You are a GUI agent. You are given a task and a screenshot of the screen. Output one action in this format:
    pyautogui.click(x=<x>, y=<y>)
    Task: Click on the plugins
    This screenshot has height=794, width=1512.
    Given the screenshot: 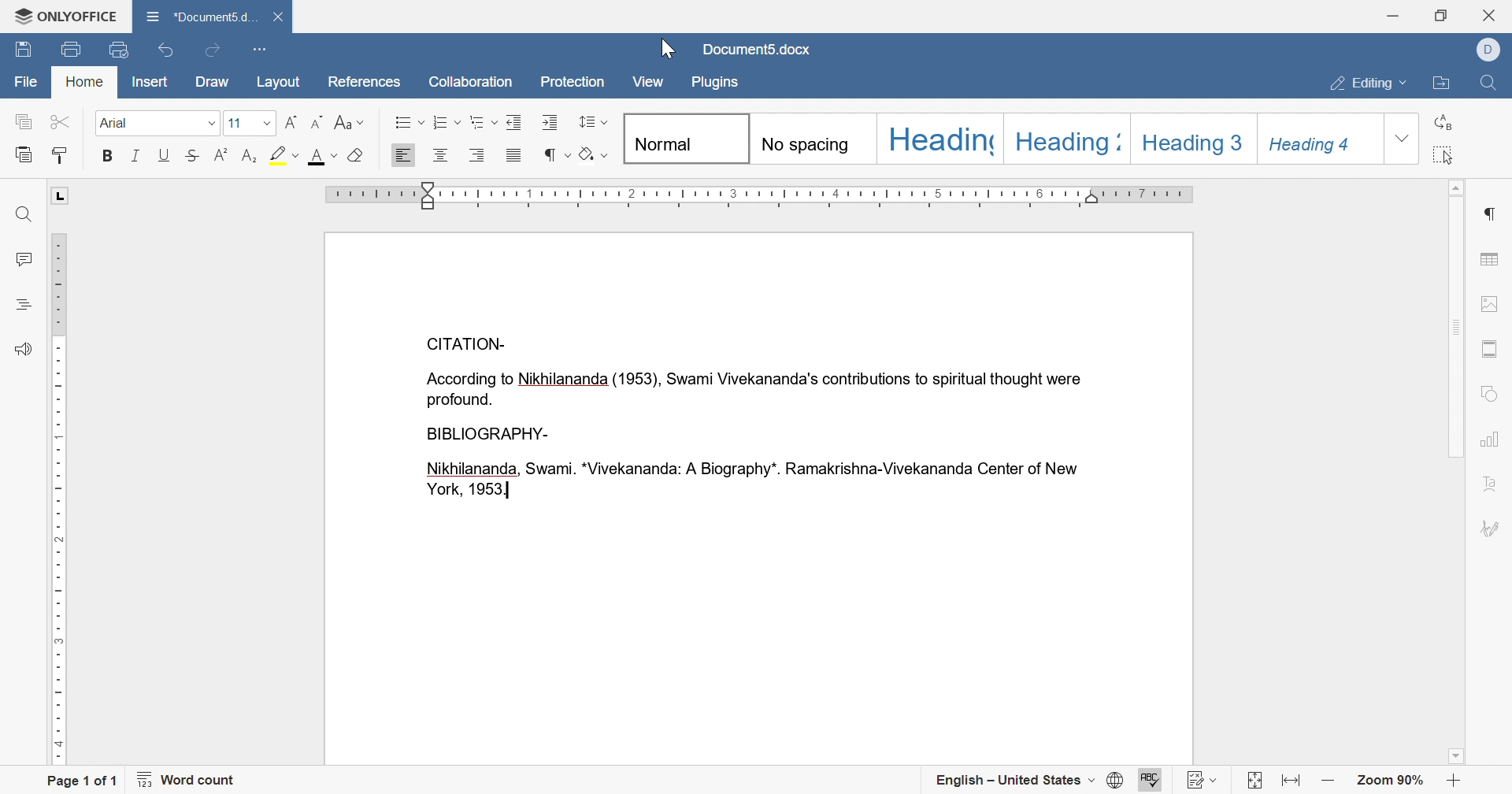 What is the action you would take?
    pyautogui.click(x=715, y=83)
    